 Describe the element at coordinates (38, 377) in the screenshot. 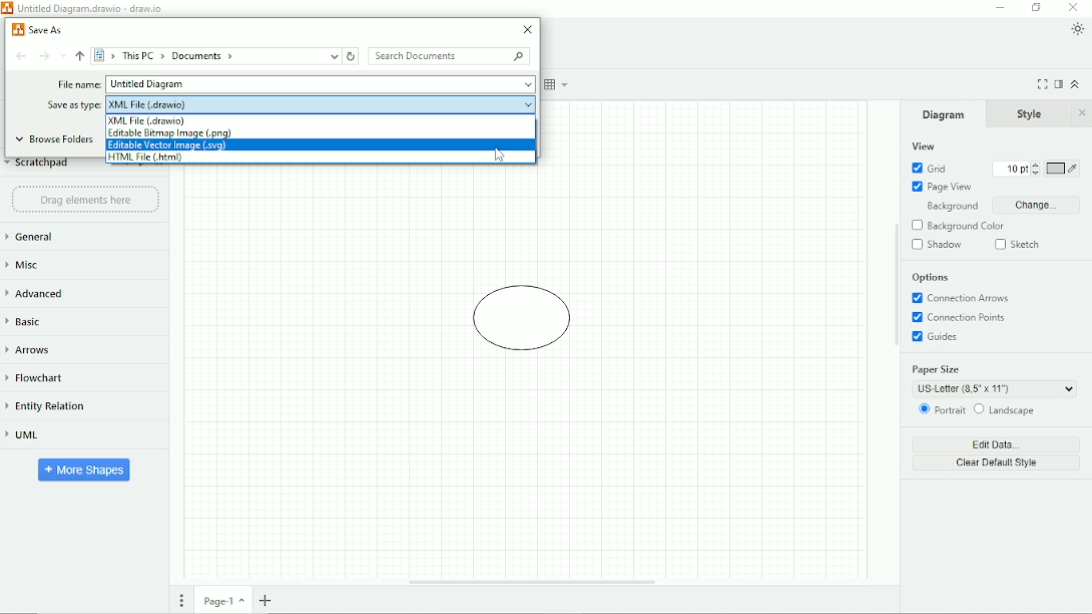

I see `Flowchart` at that location.